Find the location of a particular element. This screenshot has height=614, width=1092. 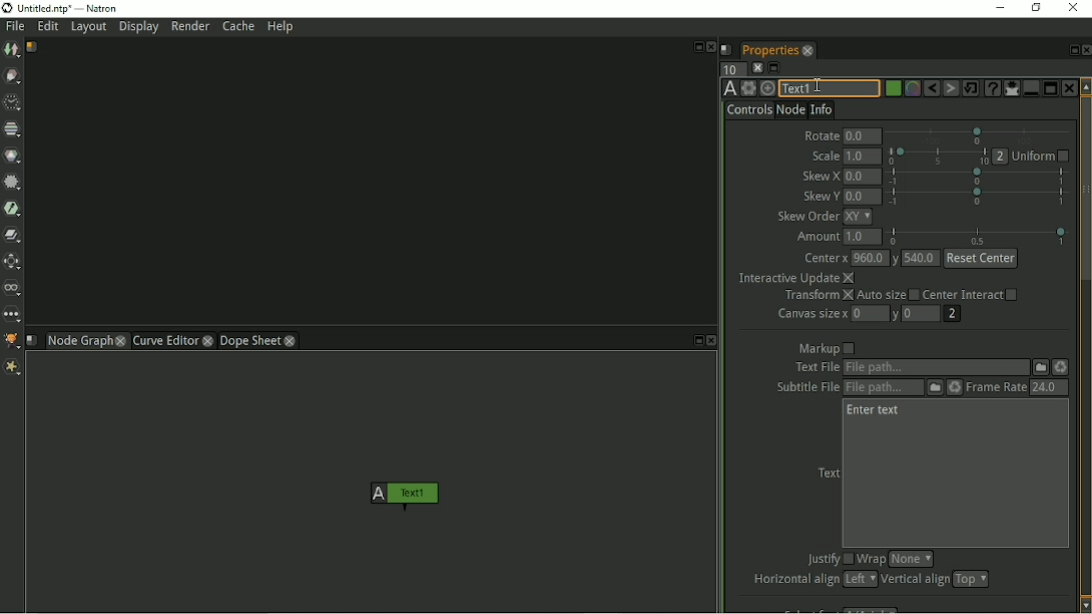

Minimize is located at coordinates (998, 7).